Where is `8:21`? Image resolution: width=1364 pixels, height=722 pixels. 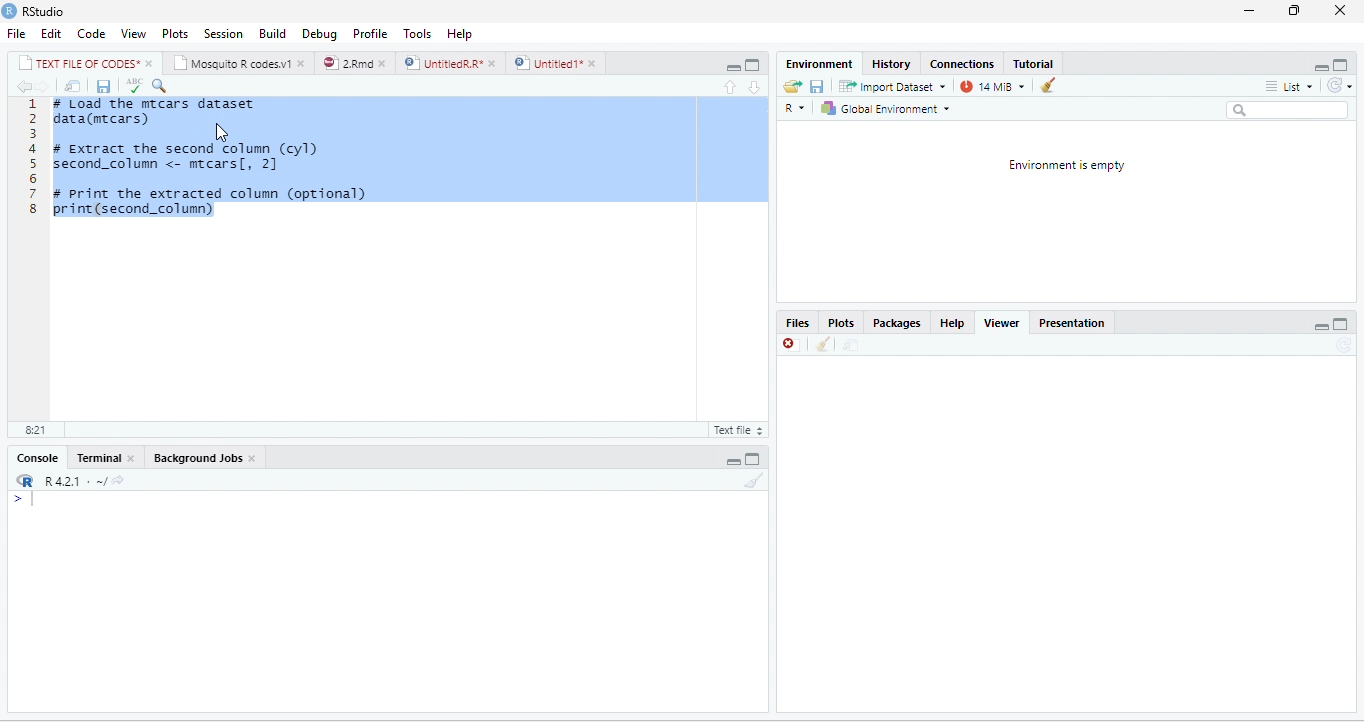 8:21 is located at coordinates (33, 431).